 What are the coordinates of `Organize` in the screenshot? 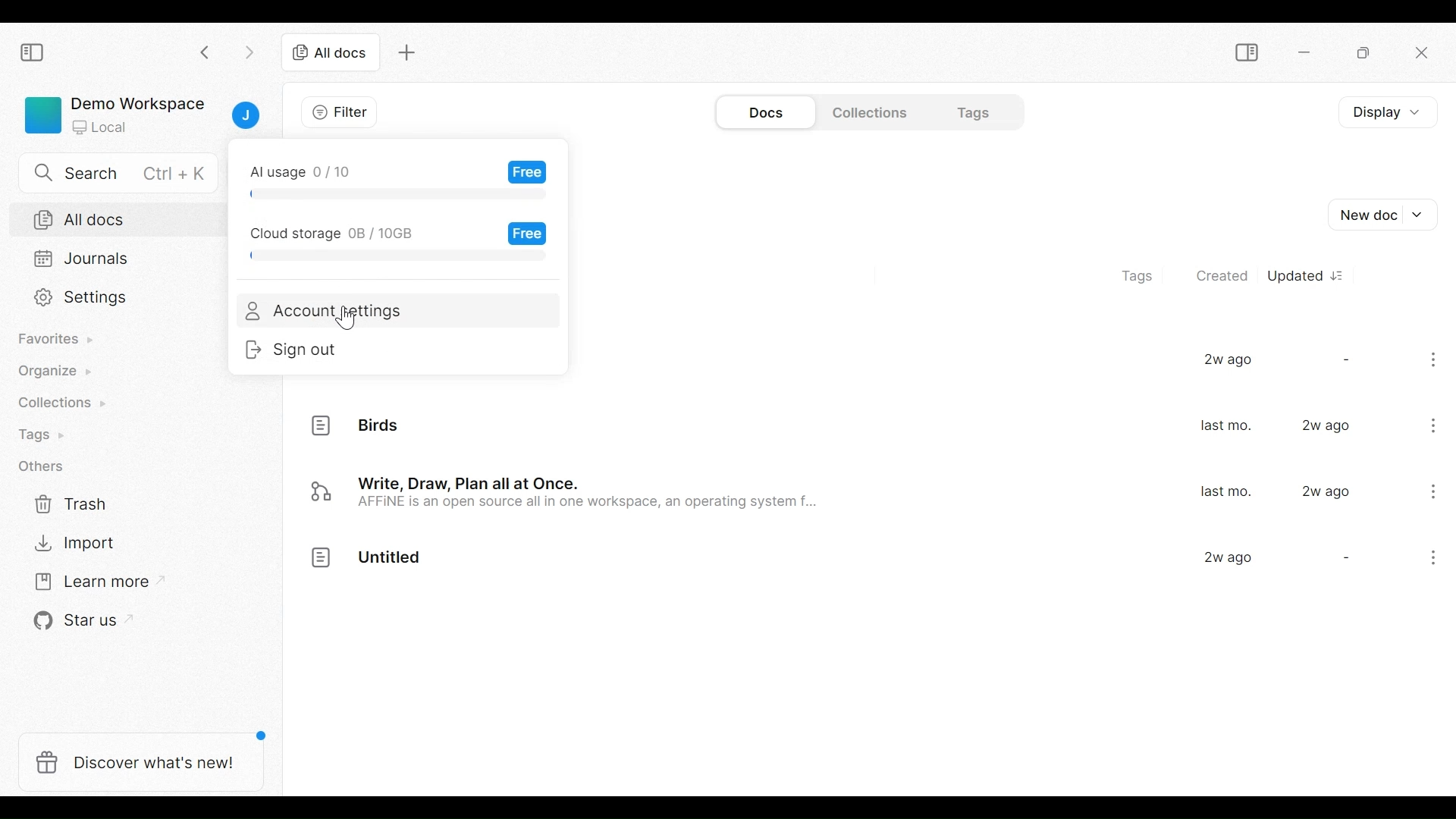 It's located at (58, 372).